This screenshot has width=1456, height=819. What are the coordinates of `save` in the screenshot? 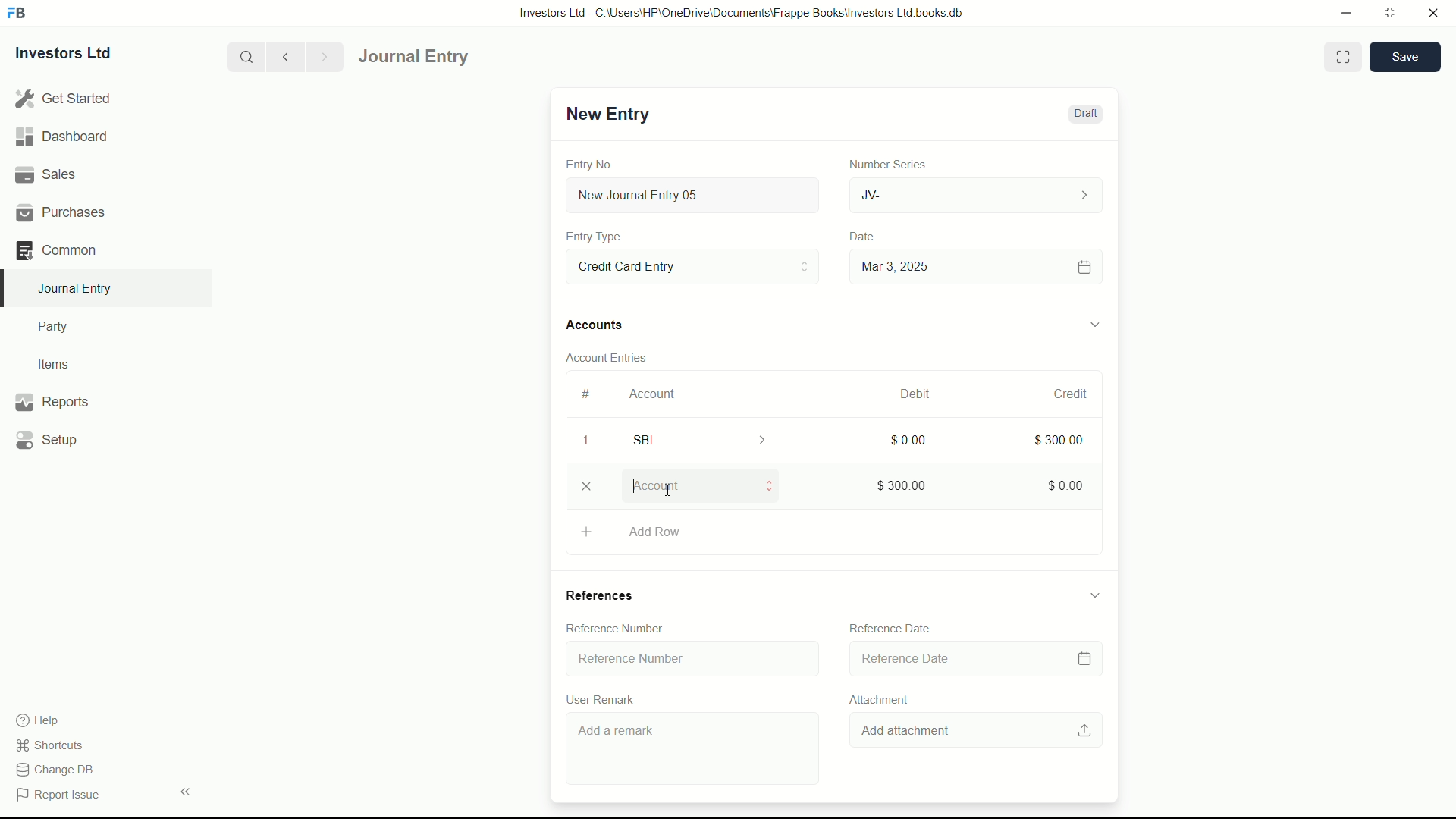 It's located at (1406, 57).